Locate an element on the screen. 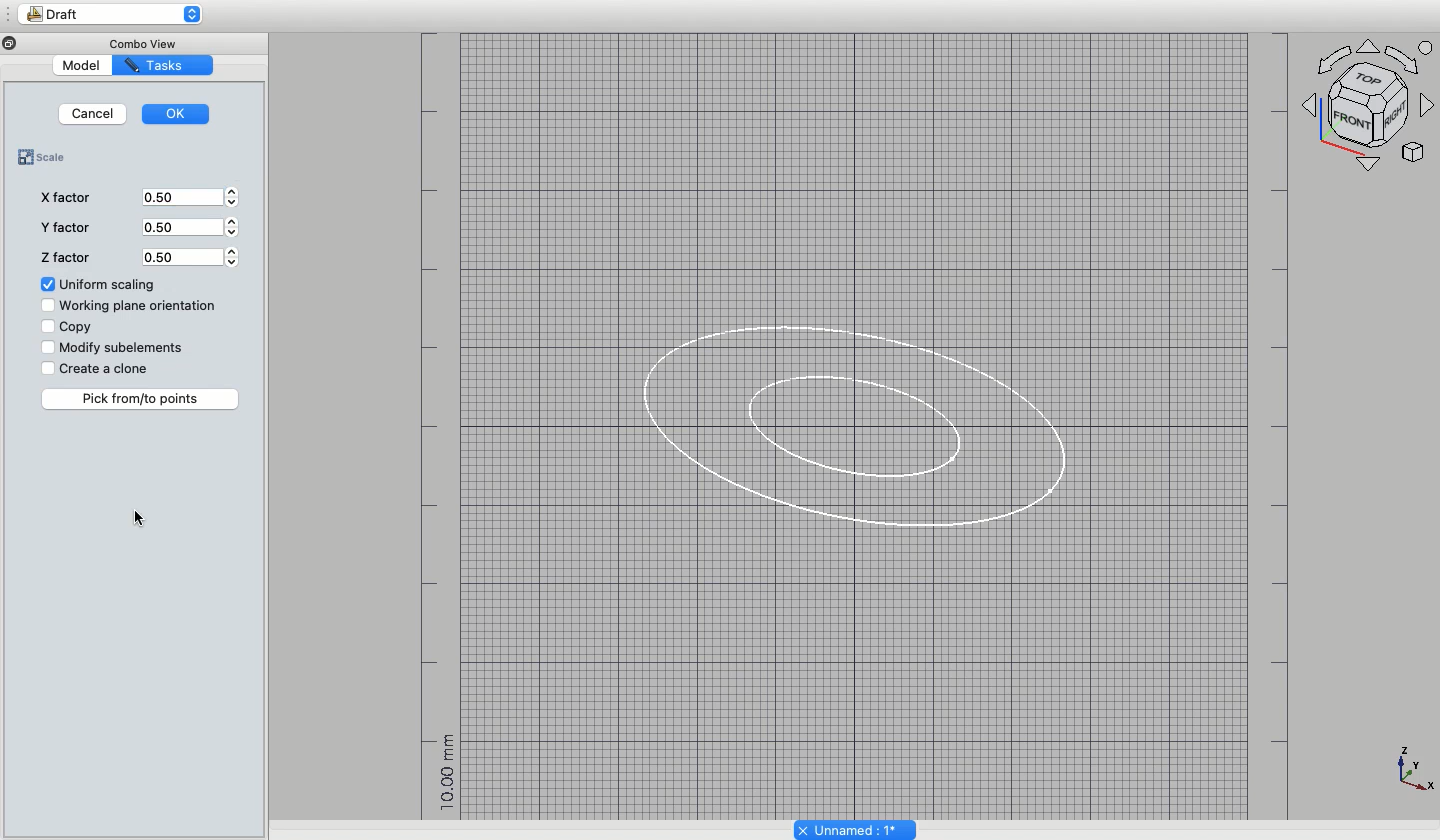 Image resolution: width=1440 pixels, height=840 pixels. Cancel is located at coordinates (92, 114).